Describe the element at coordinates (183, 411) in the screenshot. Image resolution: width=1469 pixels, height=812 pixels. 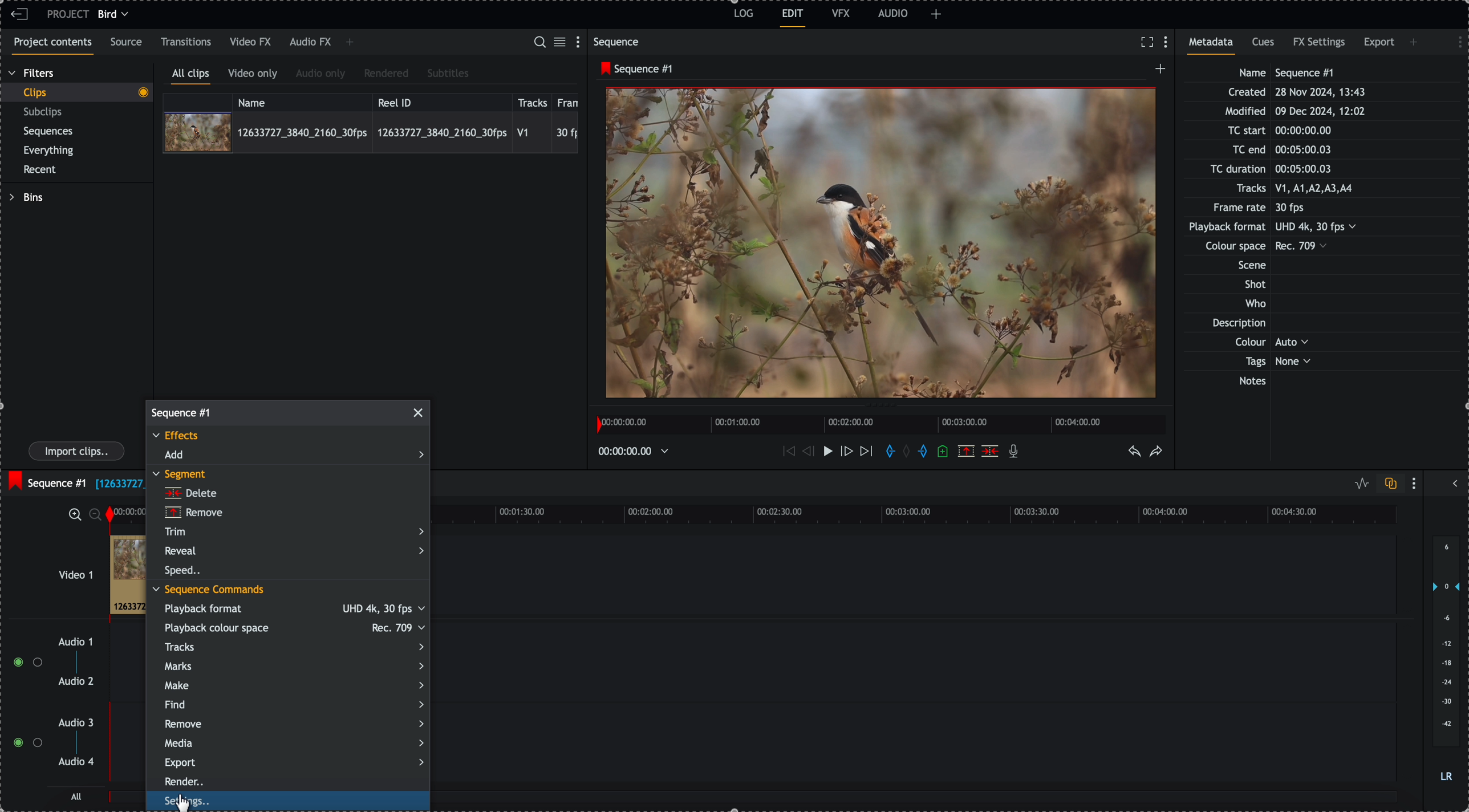
I see `sequence #1` at that location.